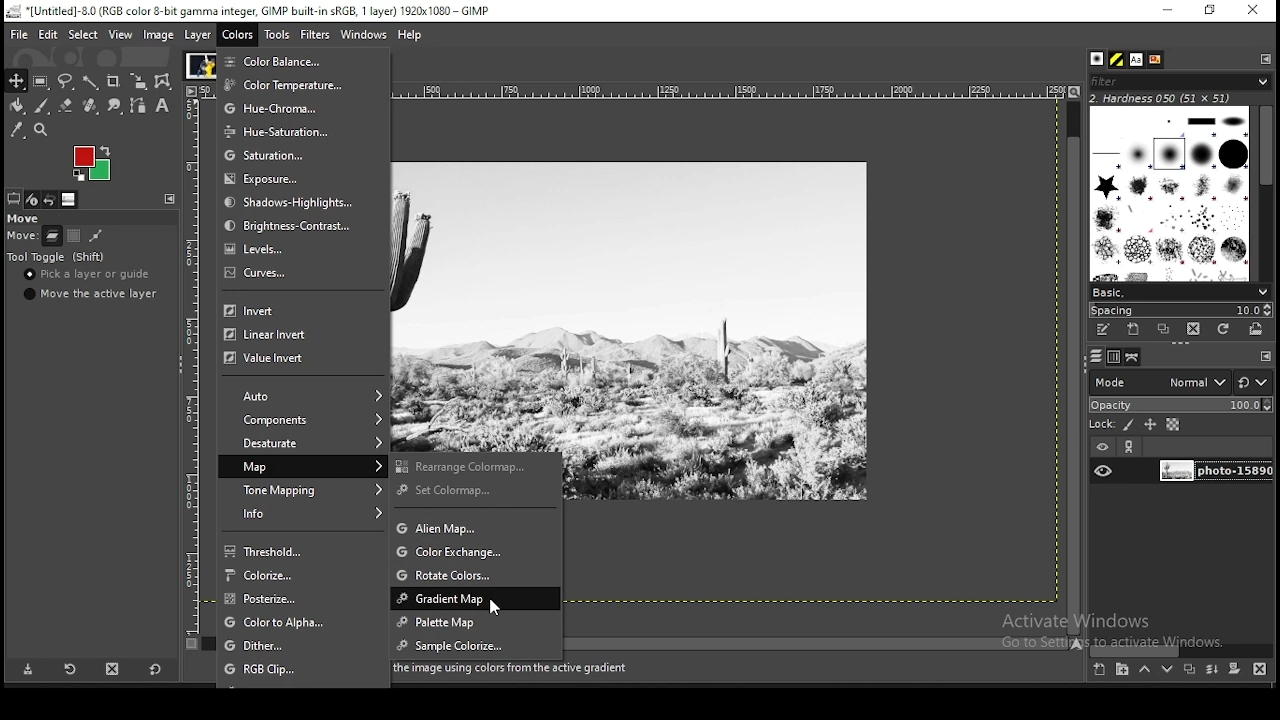 This screenshot has height=720, width=1280. I want to click on move paths, so click(95, 236).